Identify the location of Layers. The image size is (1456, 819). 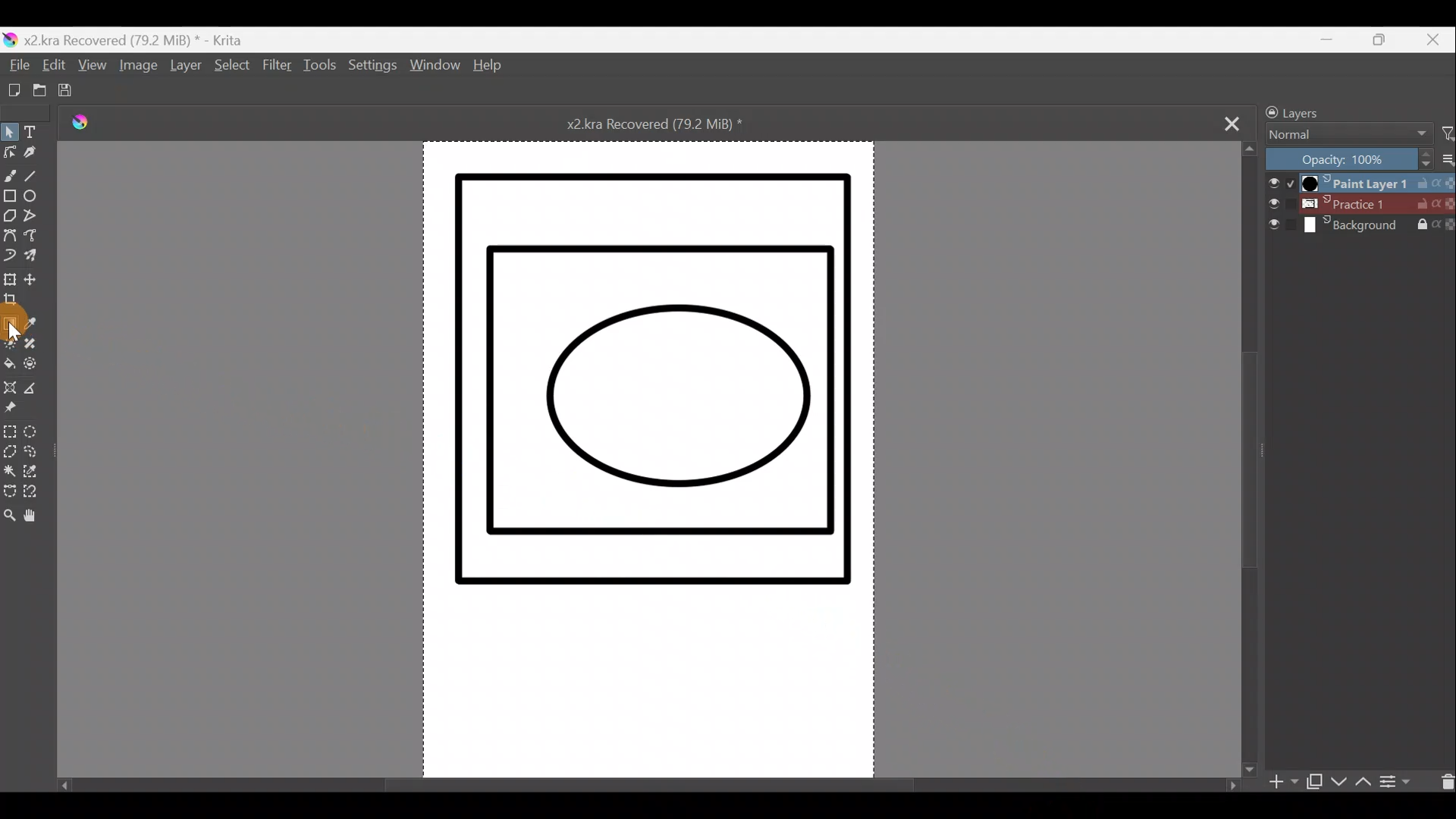
(1332, 110).